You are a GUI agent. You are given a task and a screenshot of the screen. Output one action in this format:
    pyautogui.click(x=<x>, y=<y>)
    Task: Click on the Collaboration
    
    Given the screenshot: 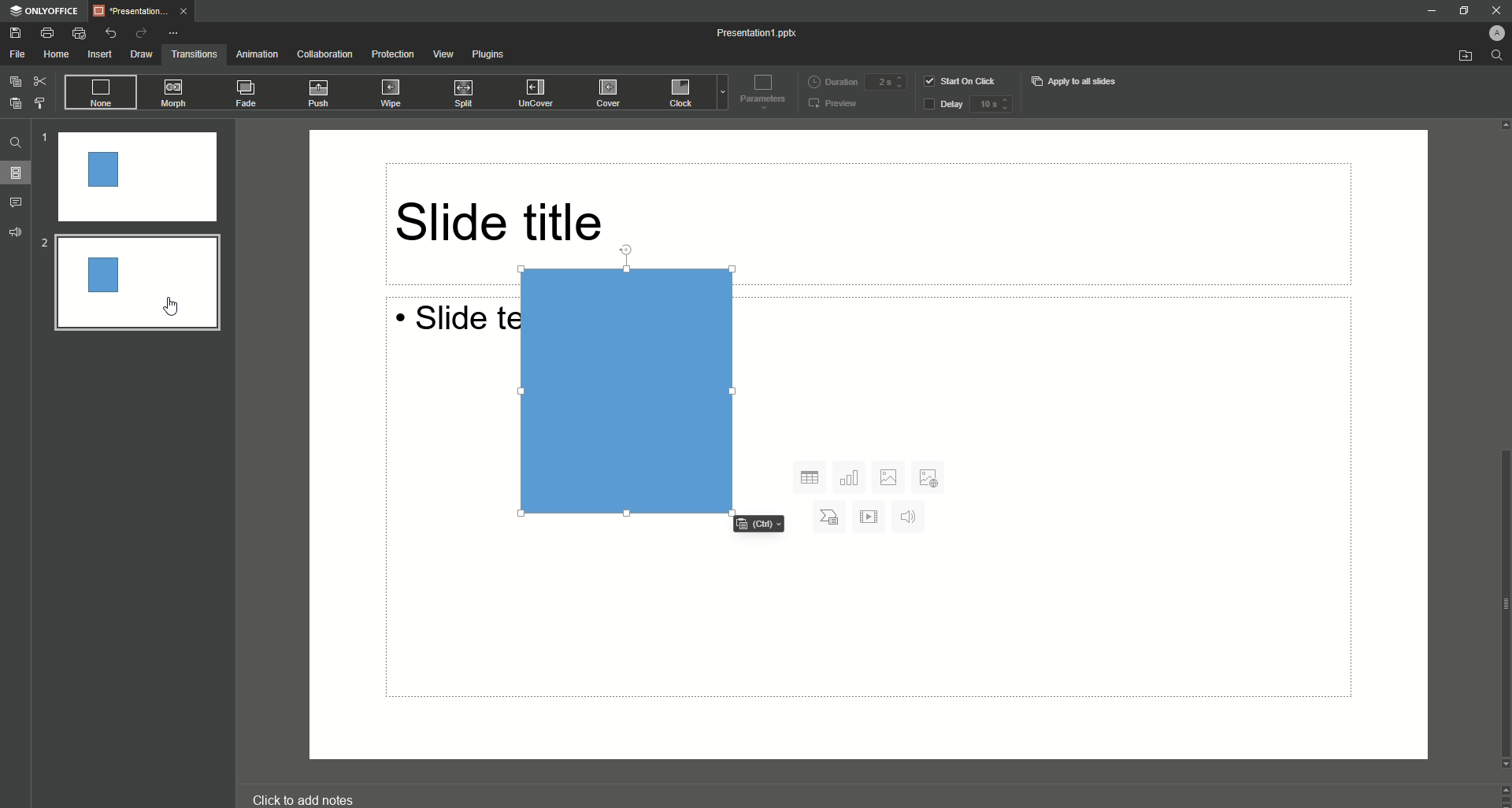 What is the action you would take?
    pyautogui.click(x=324, y=52)
    